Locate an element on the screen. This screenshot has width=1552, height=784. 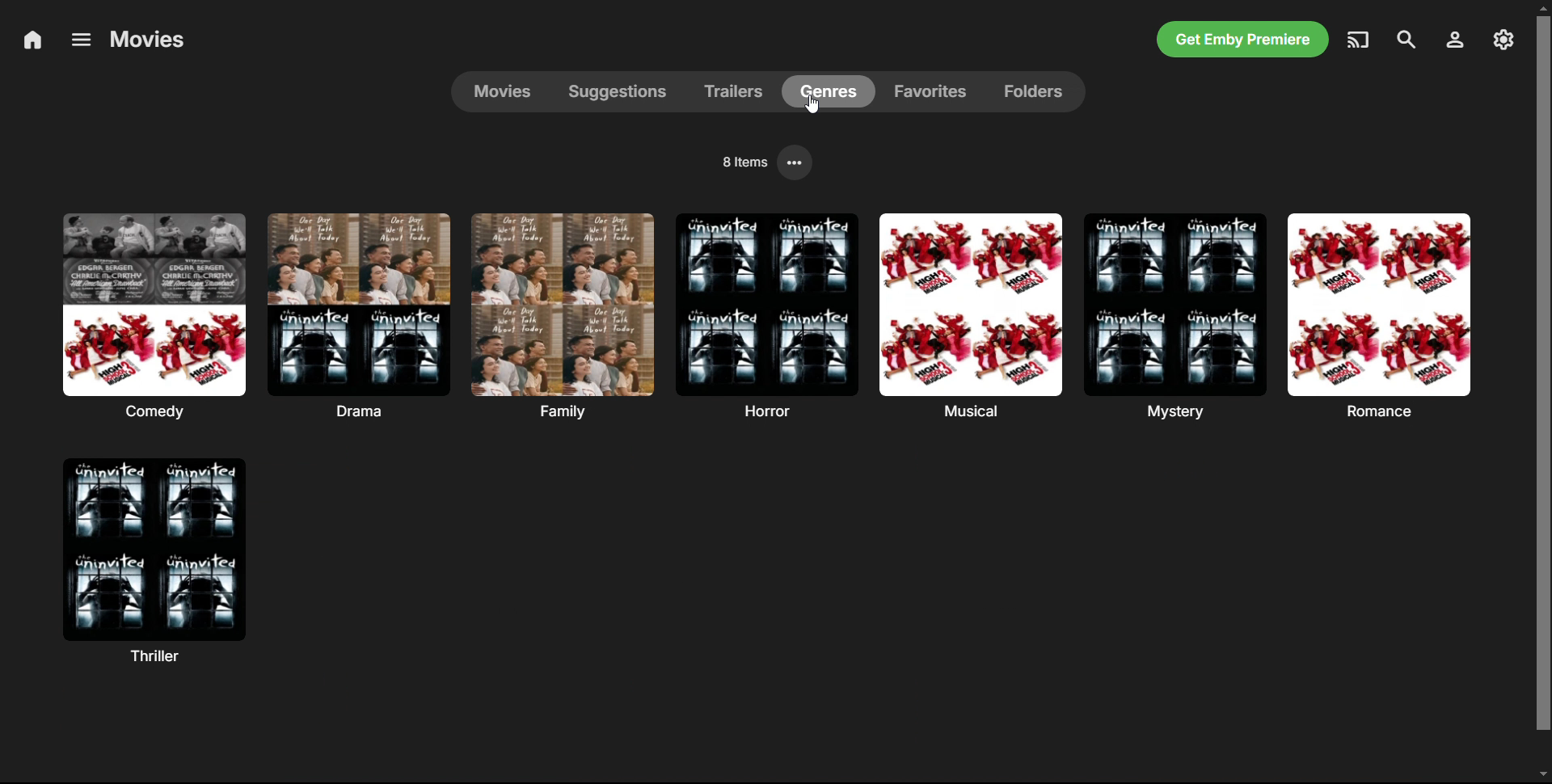
genres is located at coordinates (836, 93).